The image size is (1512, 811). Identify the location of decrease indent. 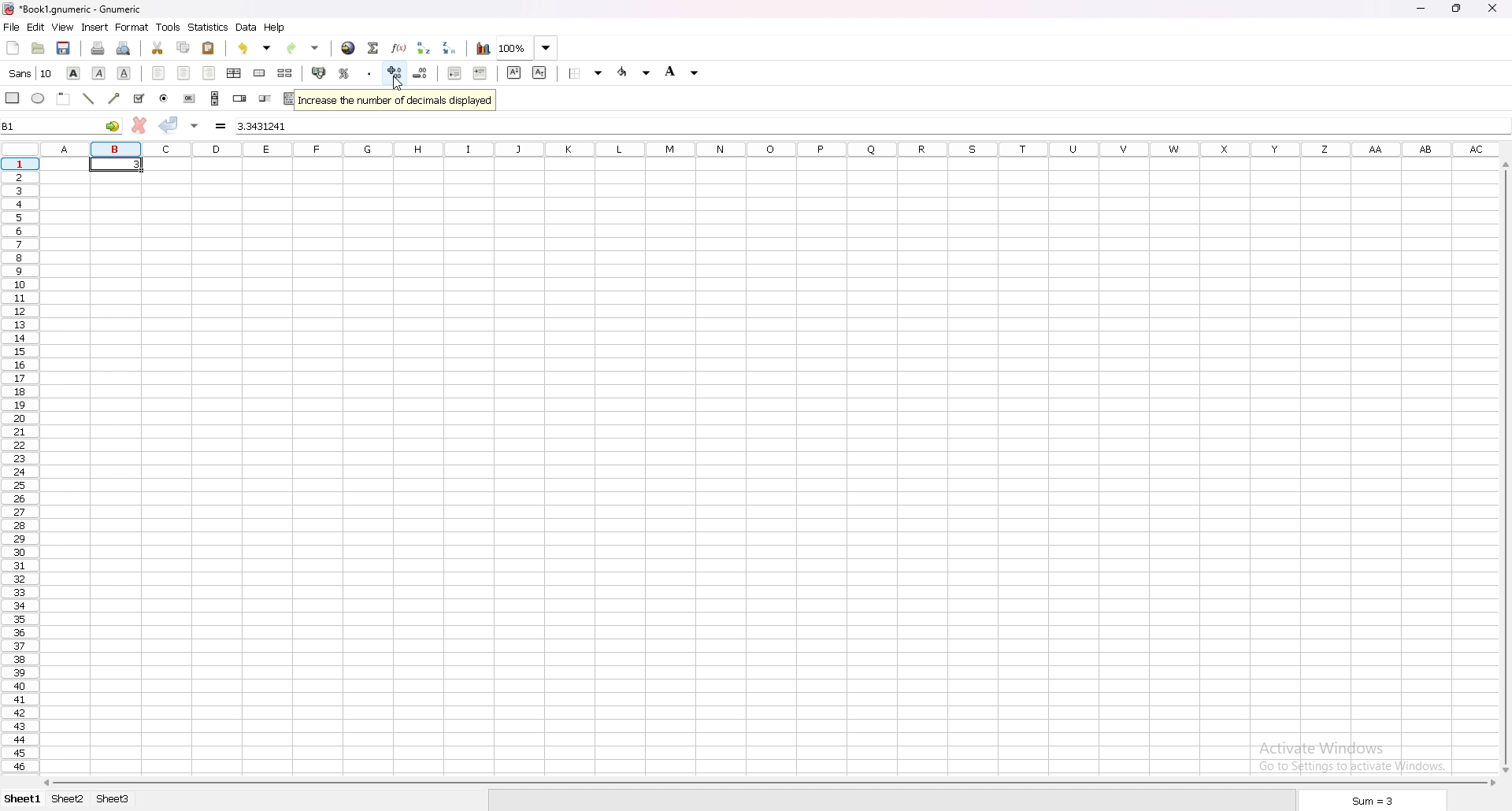
(456, 74).